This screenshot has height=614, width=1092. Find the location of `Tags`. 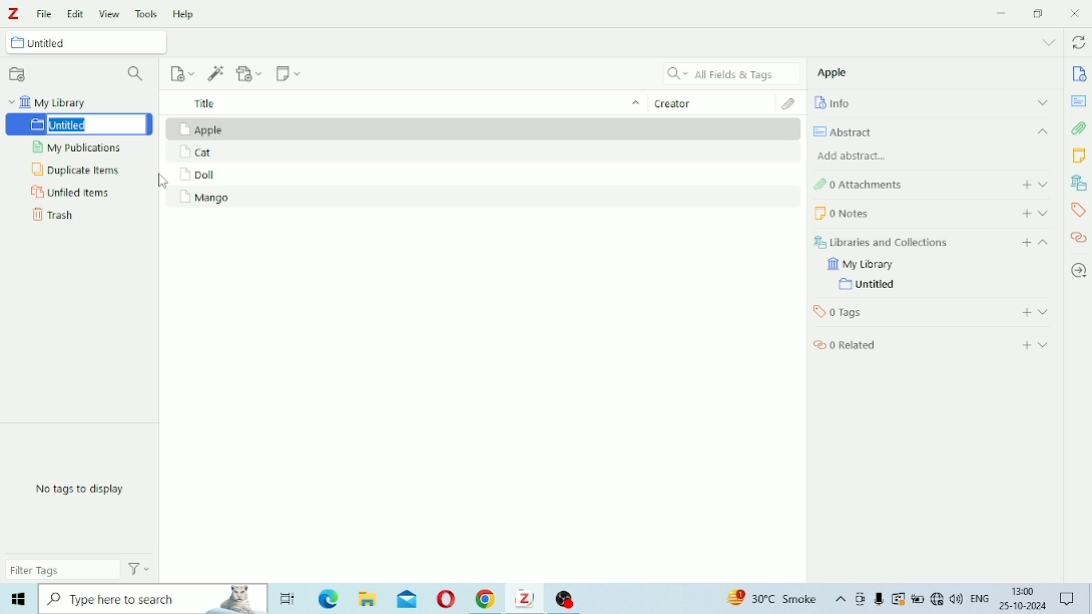

Tags is located at coordinates (1077, 209).